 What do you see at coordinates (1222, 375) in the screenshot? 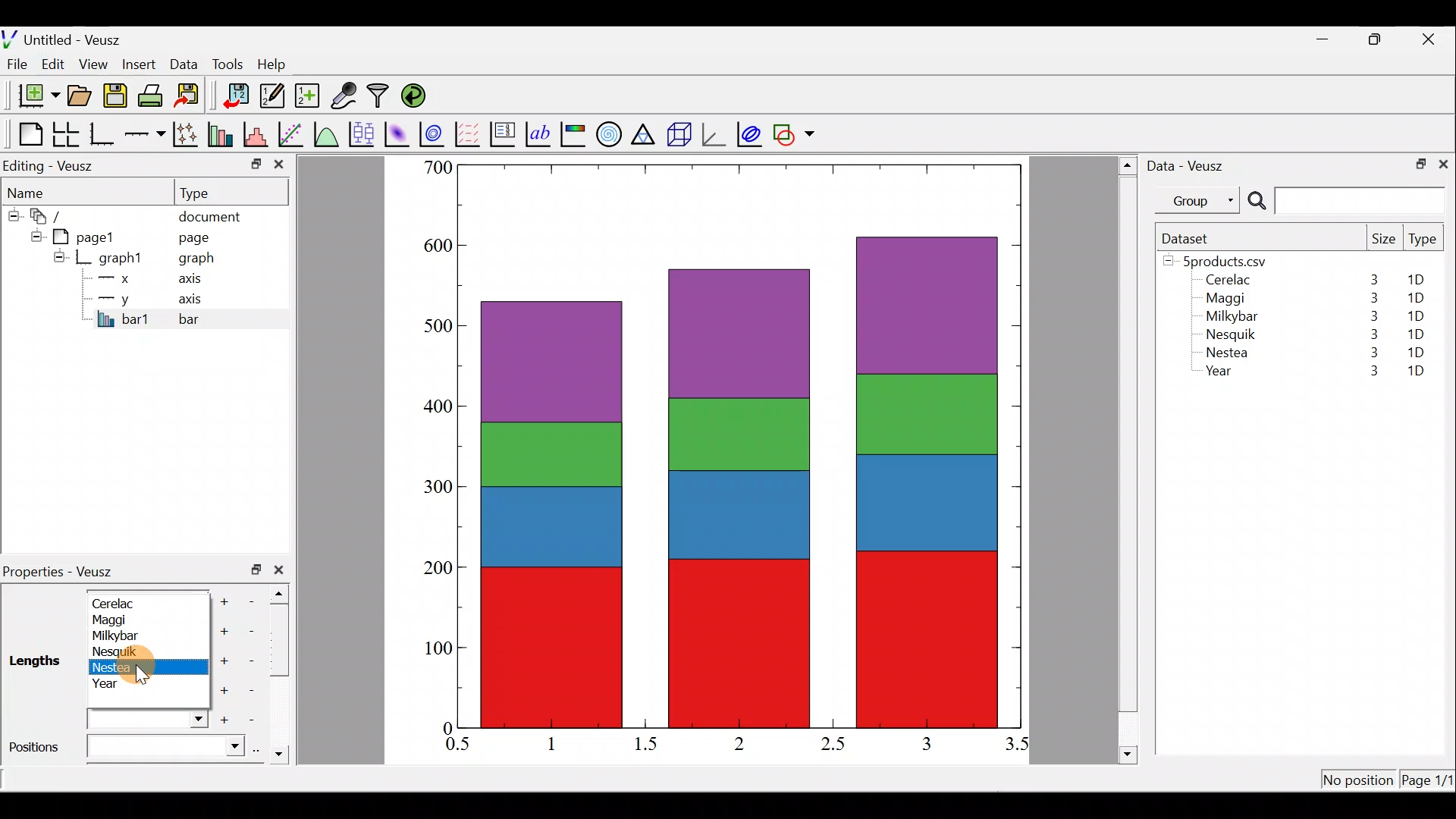
I see `Year` at bounding box center [1222, 375].